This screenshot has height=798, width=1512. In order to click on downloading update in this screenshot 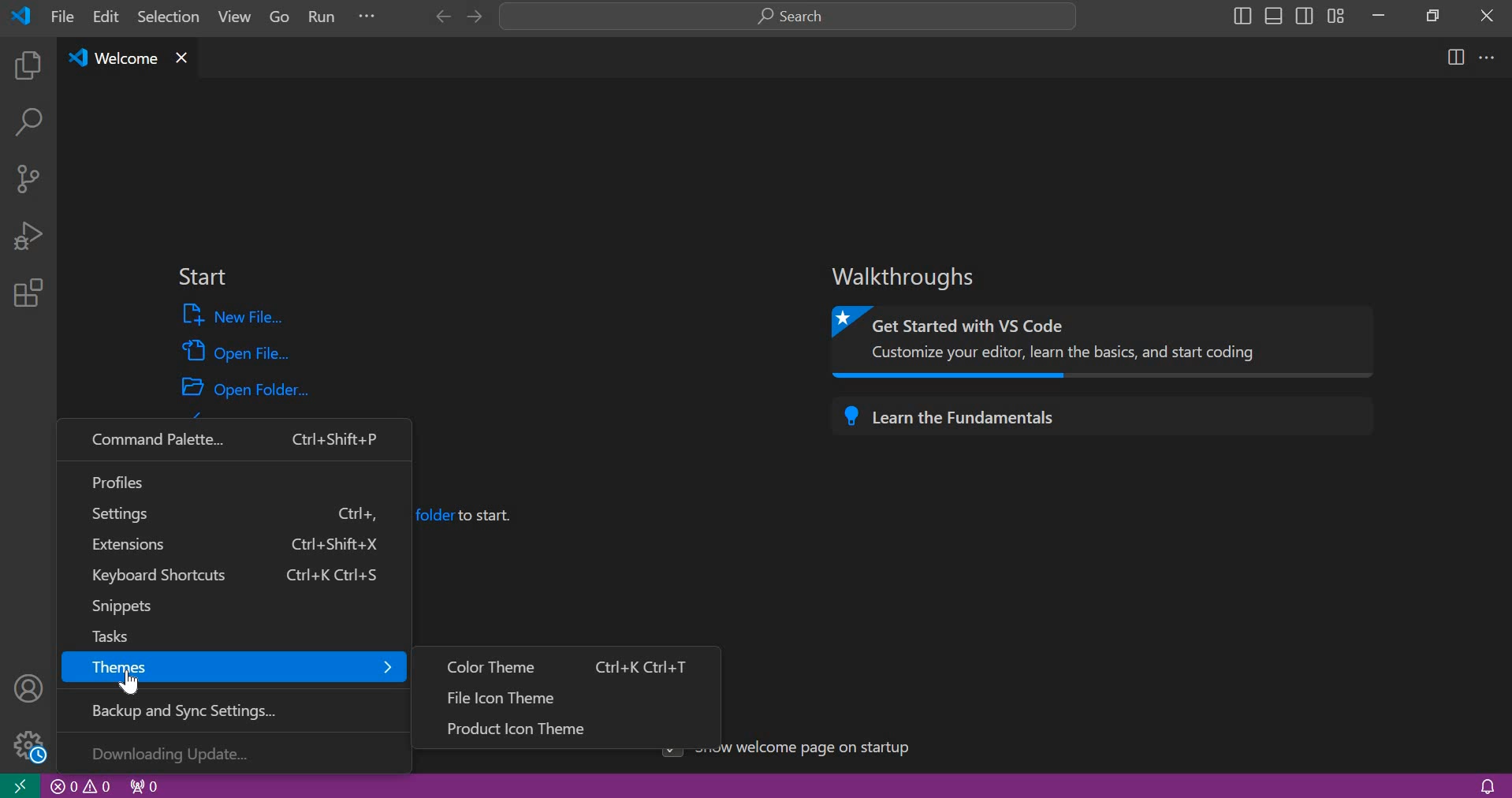, I will do `click(234, 751)`.